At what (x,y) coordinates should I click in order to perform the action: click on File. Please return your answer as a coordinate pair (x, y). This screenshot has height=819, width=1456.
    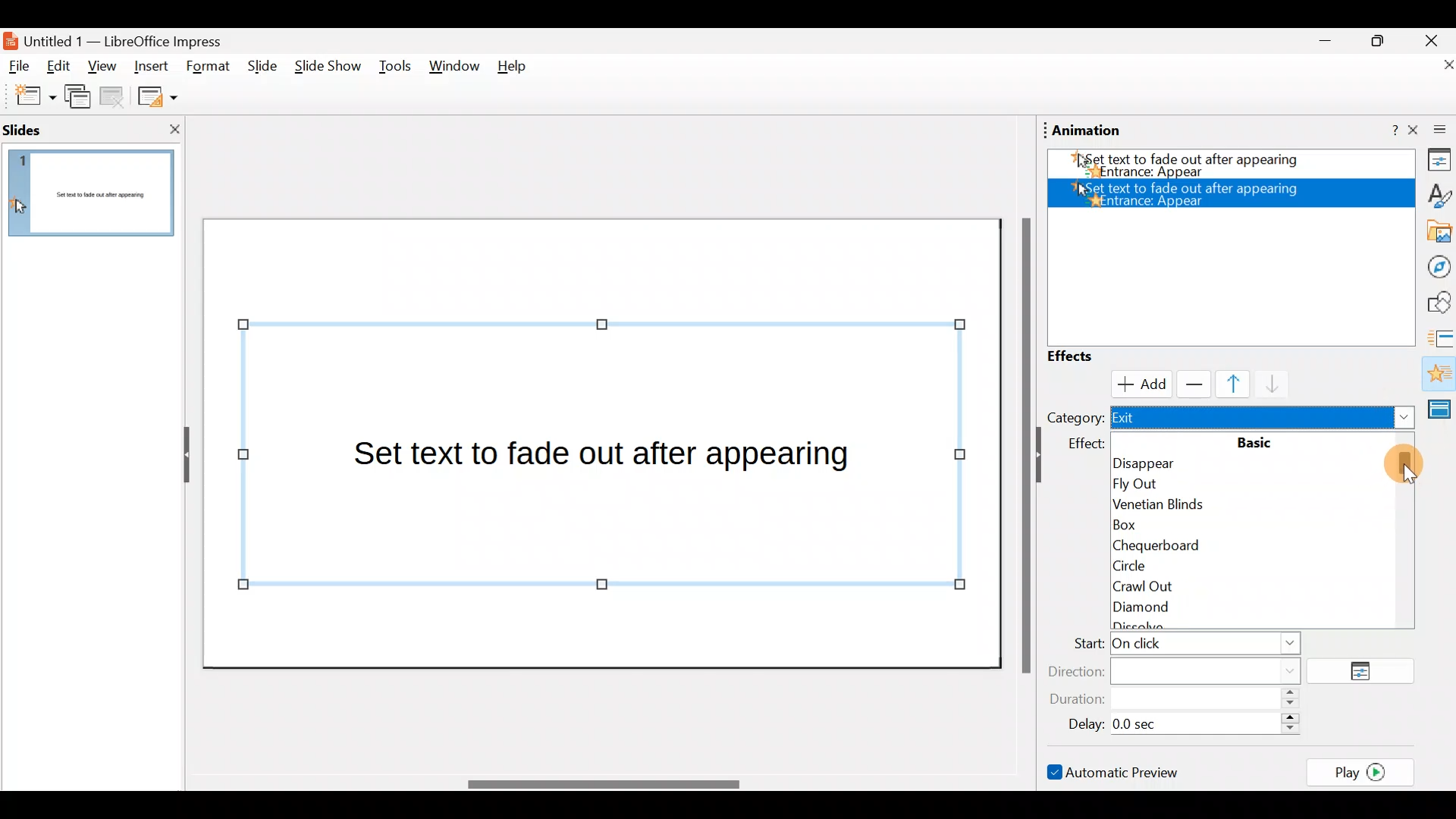
    Looking at the image, I should click on (20, 67).